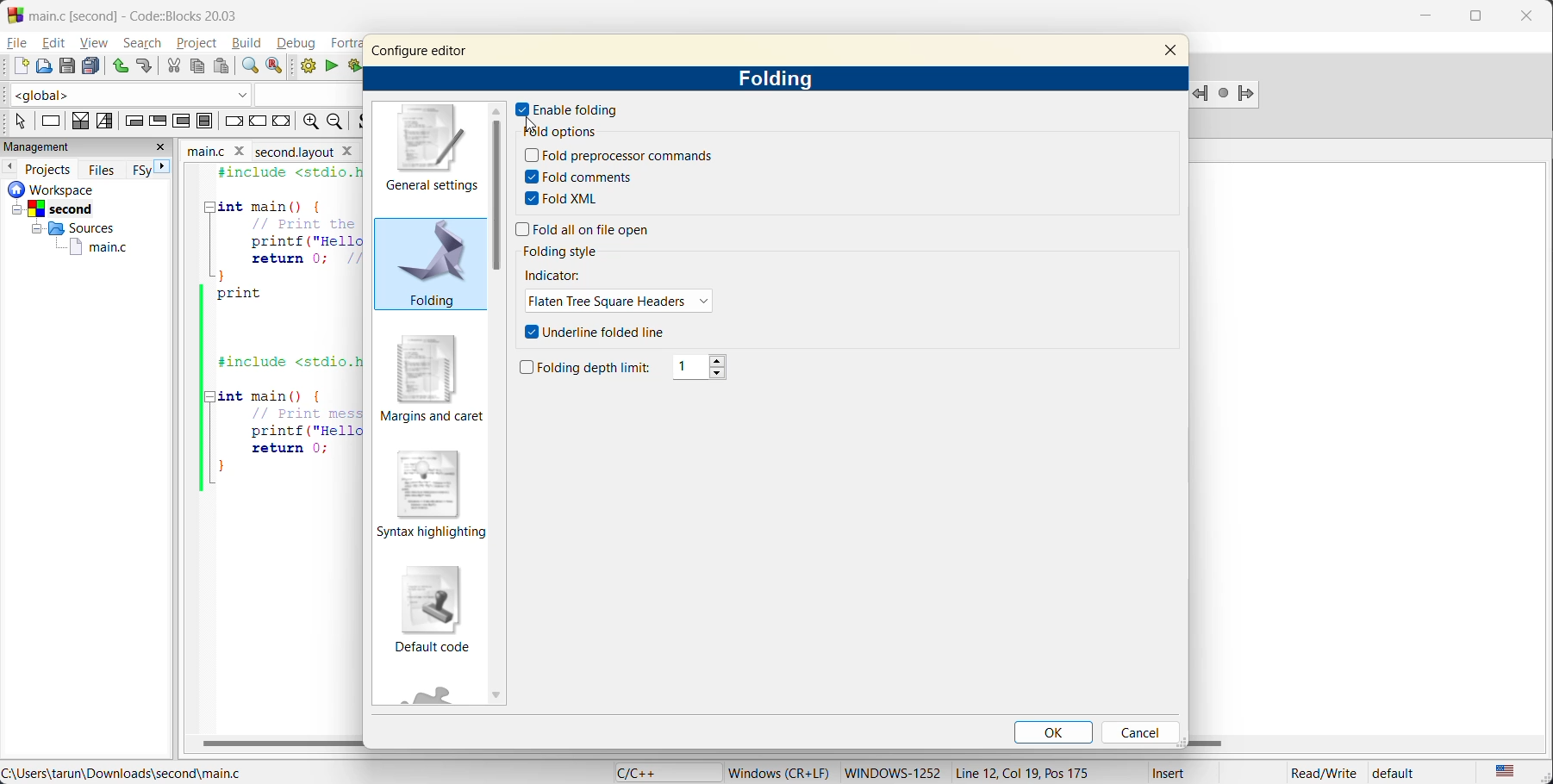 This screenshot has width=1553, height=784. What do you see at coordinates (143, 65) in the screenshot?
I see `redo` at bounding box center [143, 65].